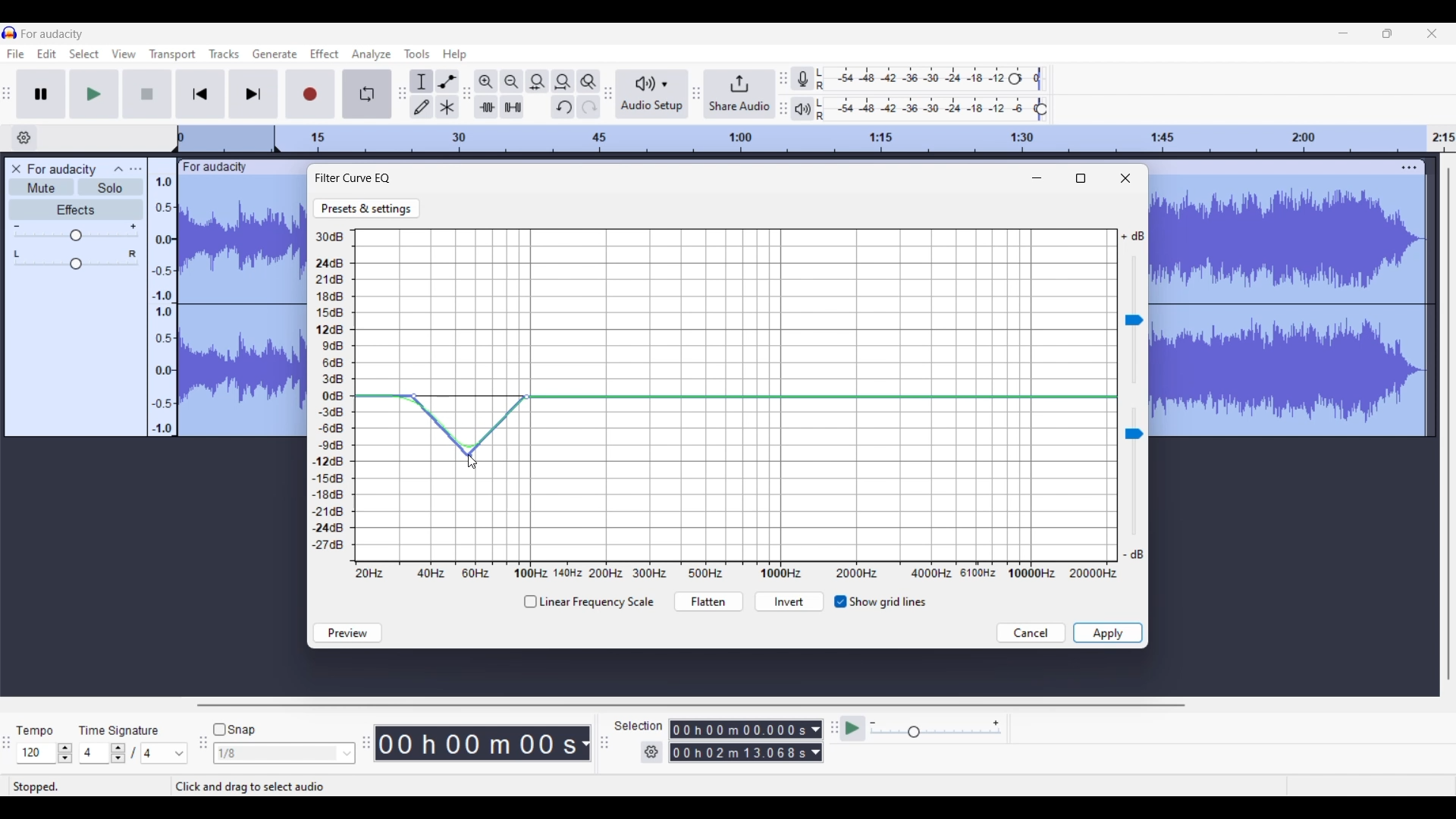 The image size is (1456, 819). Describe the element at coordinates (416, 54) in the screenshot. I see `Tools menu` at that location.